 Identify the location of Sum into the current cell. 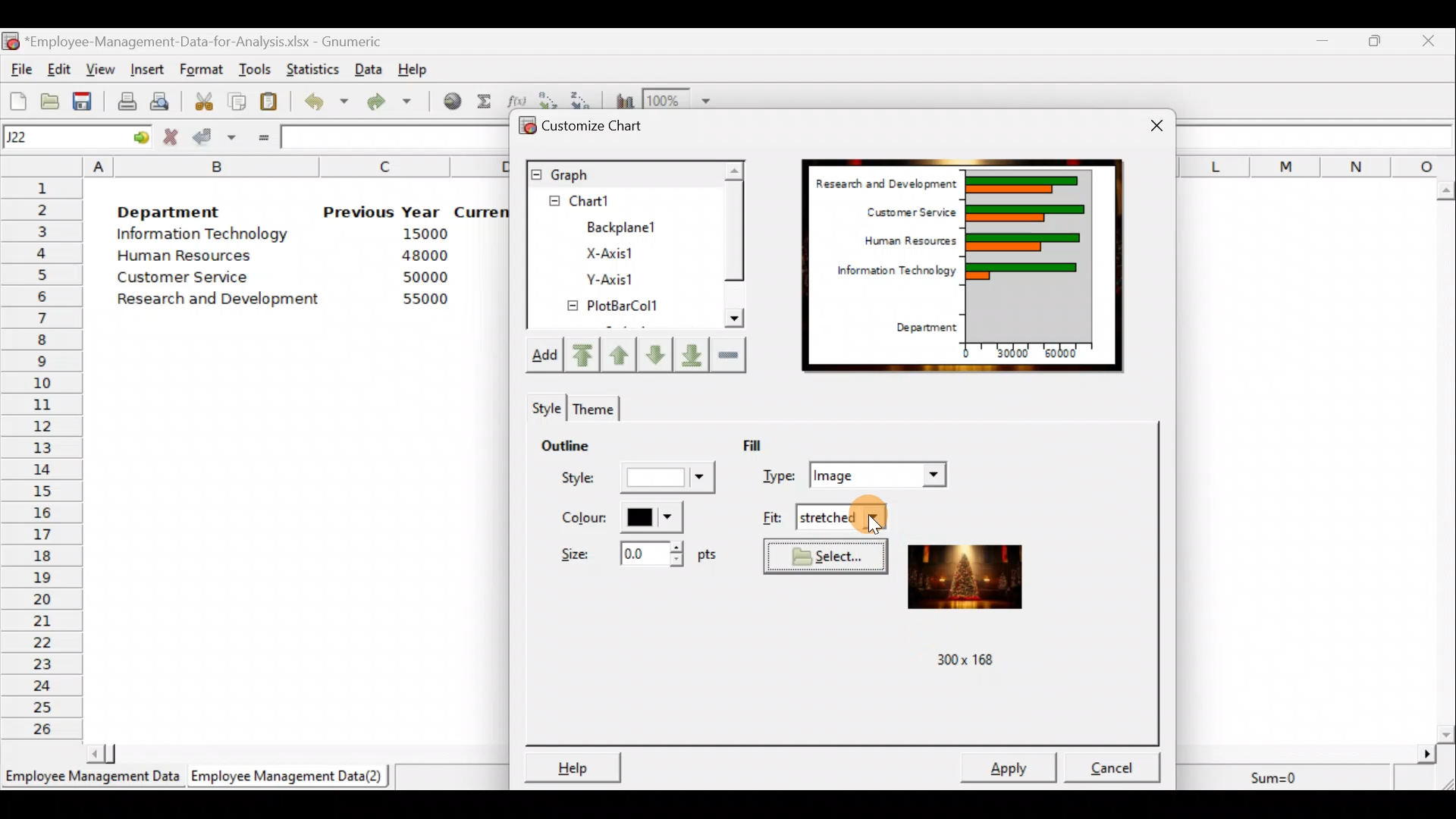
(485, 105).